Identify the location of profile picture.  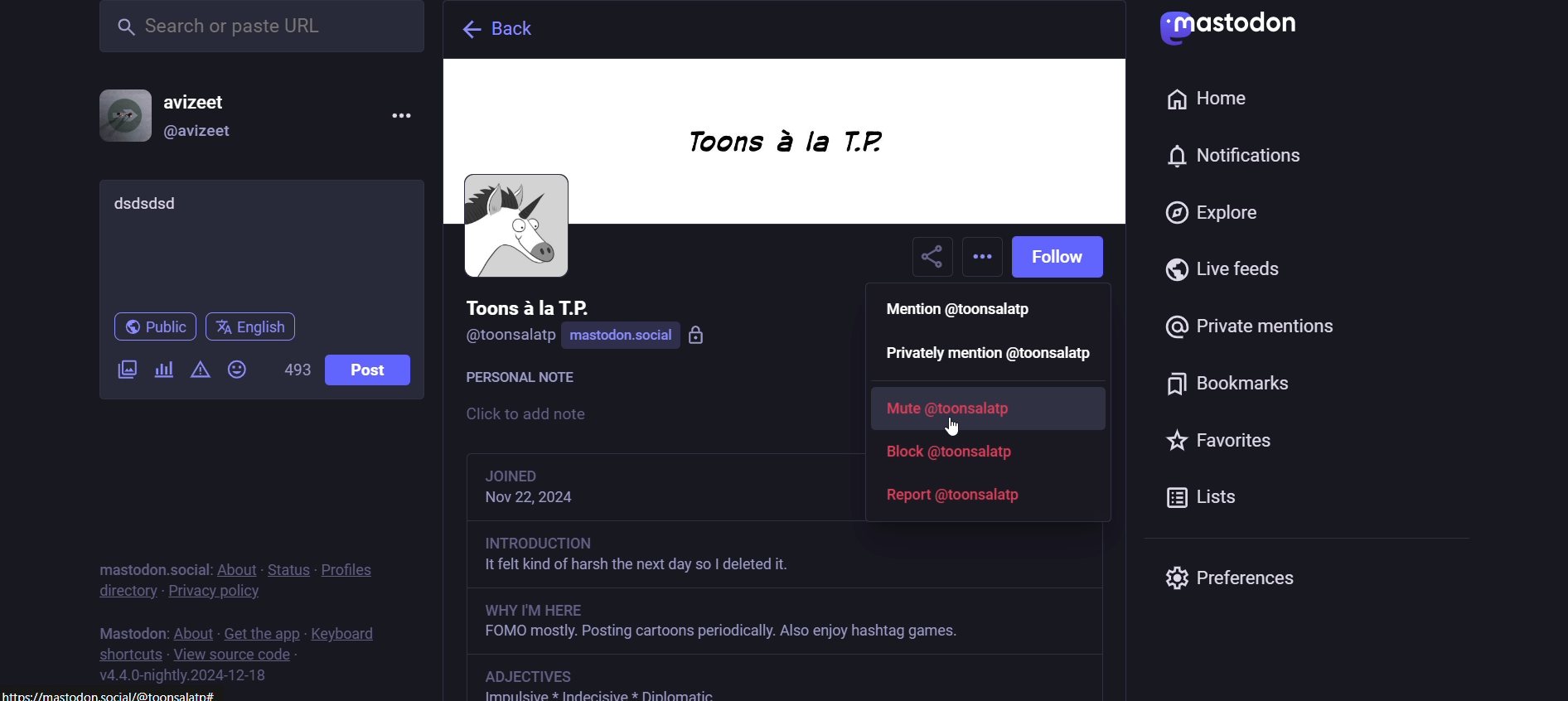
(123, 115).